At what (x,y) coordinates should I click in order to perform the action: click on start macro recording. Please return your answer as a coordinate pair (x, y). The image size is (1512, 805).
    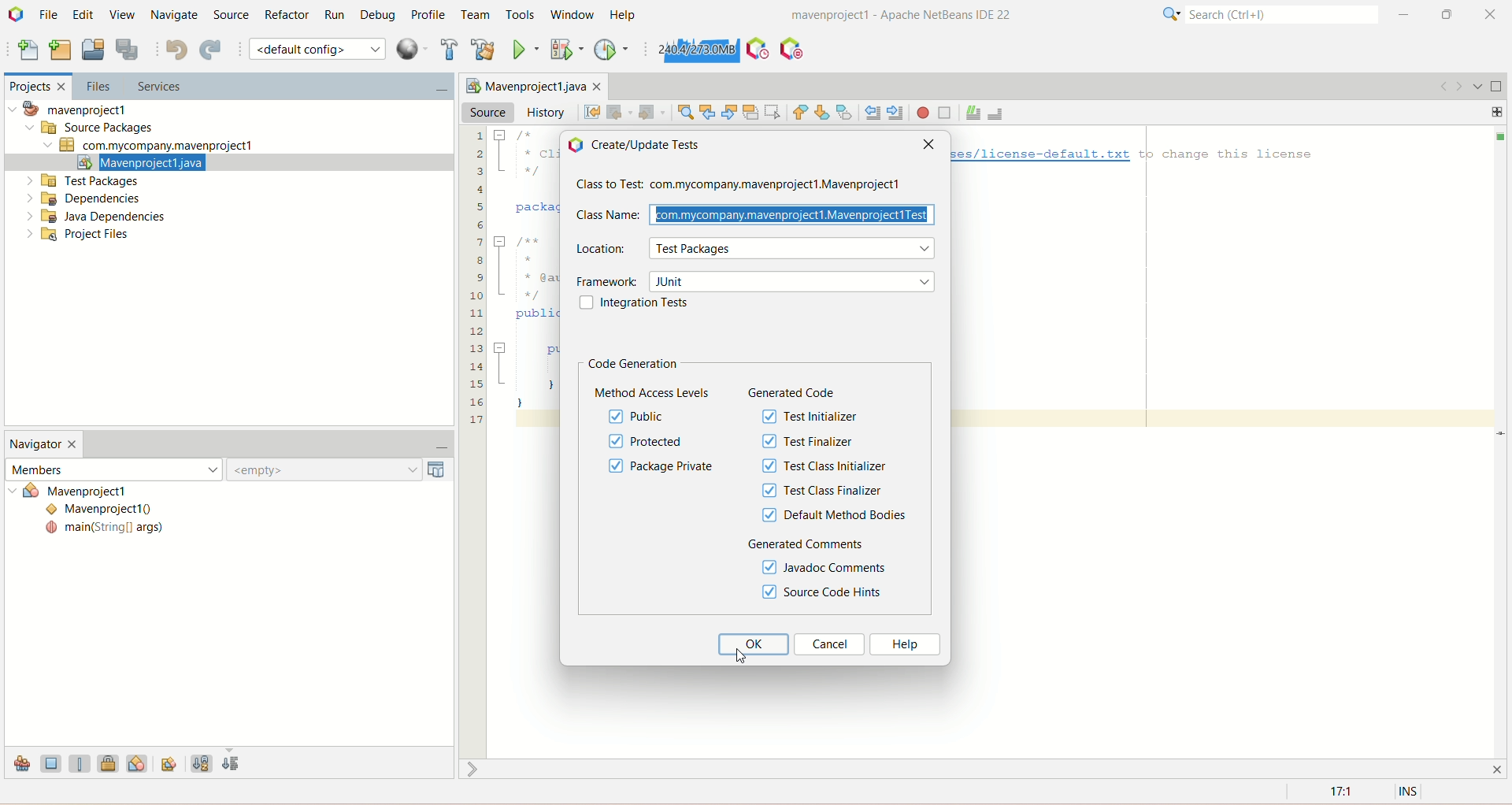
    Looking at the image, I should click on (924, 113).